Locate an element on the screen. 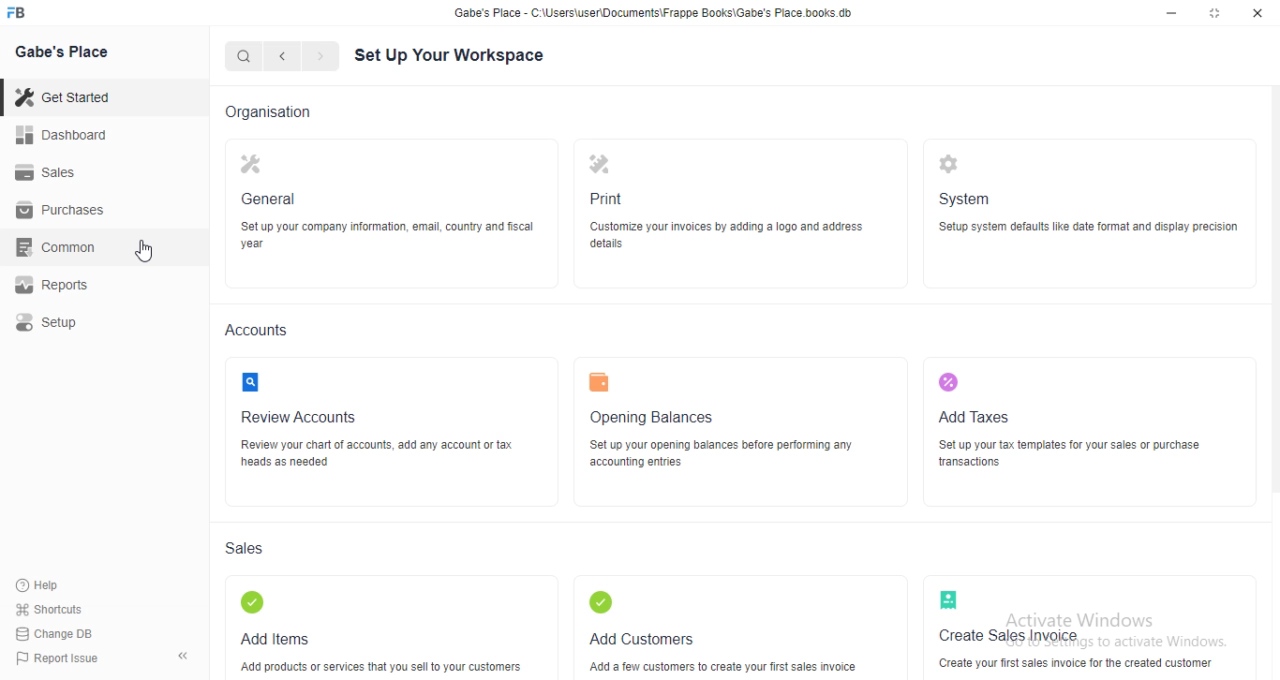 The width and height of the screenshot is (1280, 680). Change DB is located at coordinates (60, 631).